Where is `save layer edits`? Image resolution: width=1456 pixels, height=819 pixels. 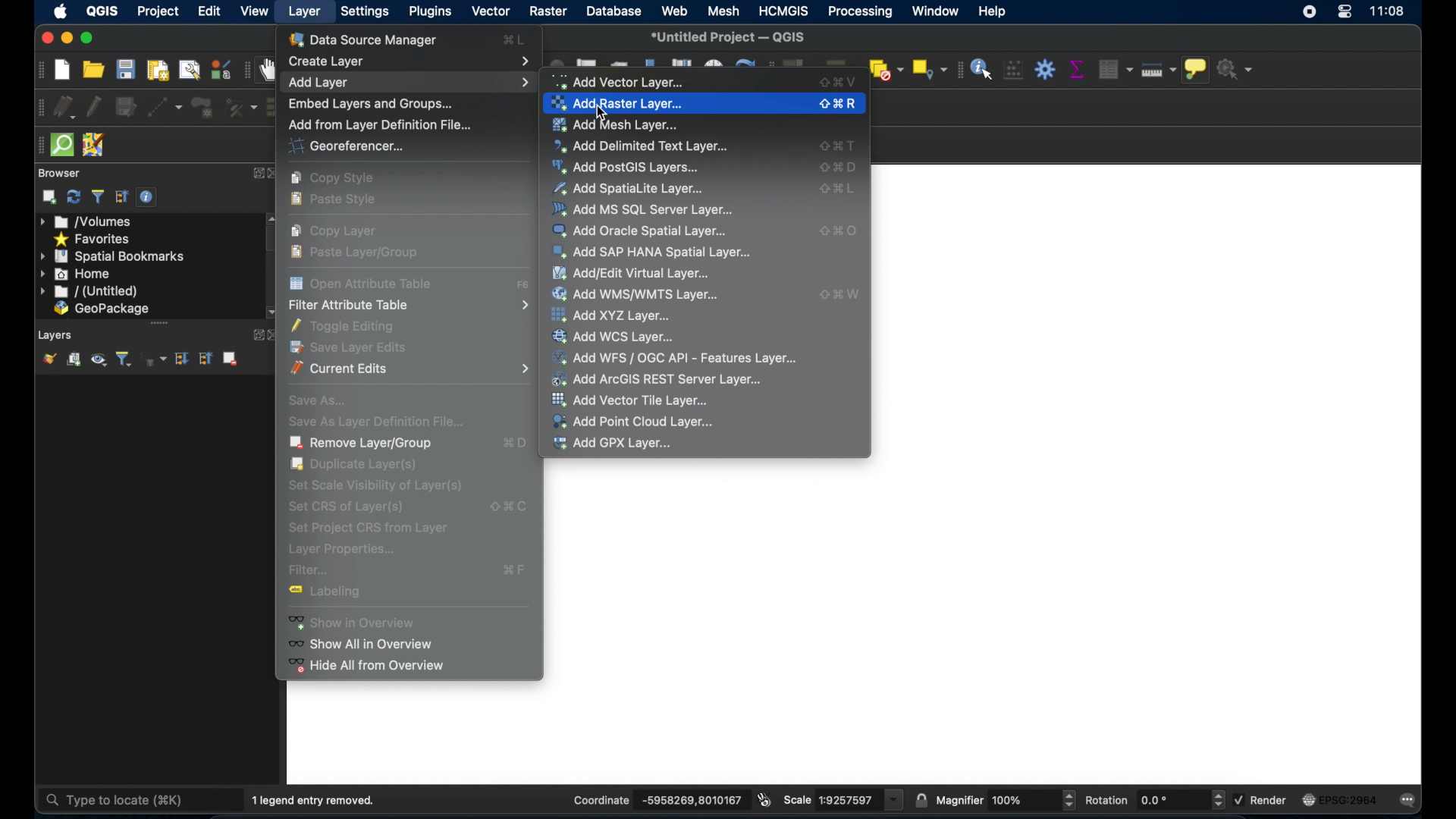
save layer edits is located at coordinates (125, 105).